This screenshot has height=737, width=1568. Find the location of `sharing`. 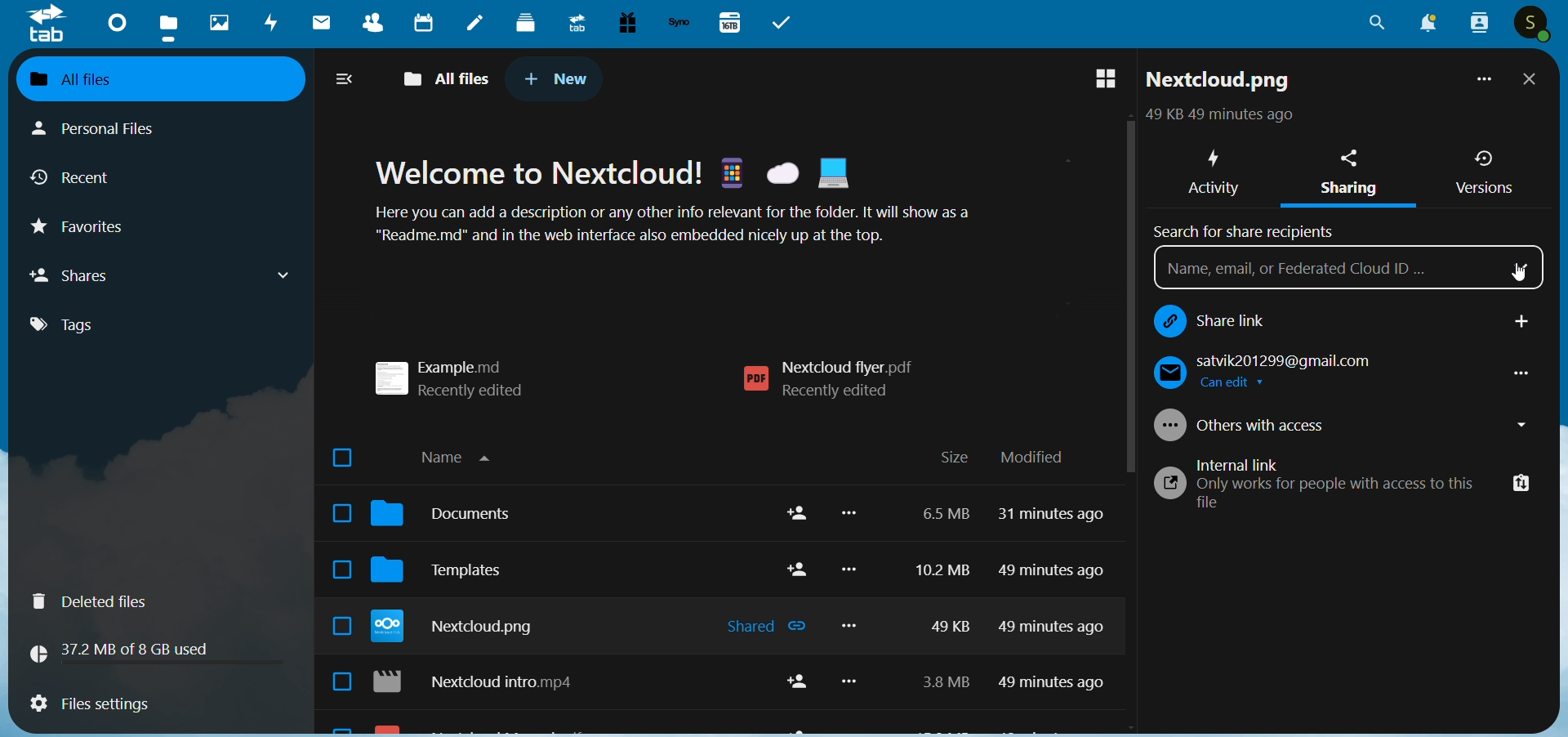

sharing is located at coordinates (1354, 176).